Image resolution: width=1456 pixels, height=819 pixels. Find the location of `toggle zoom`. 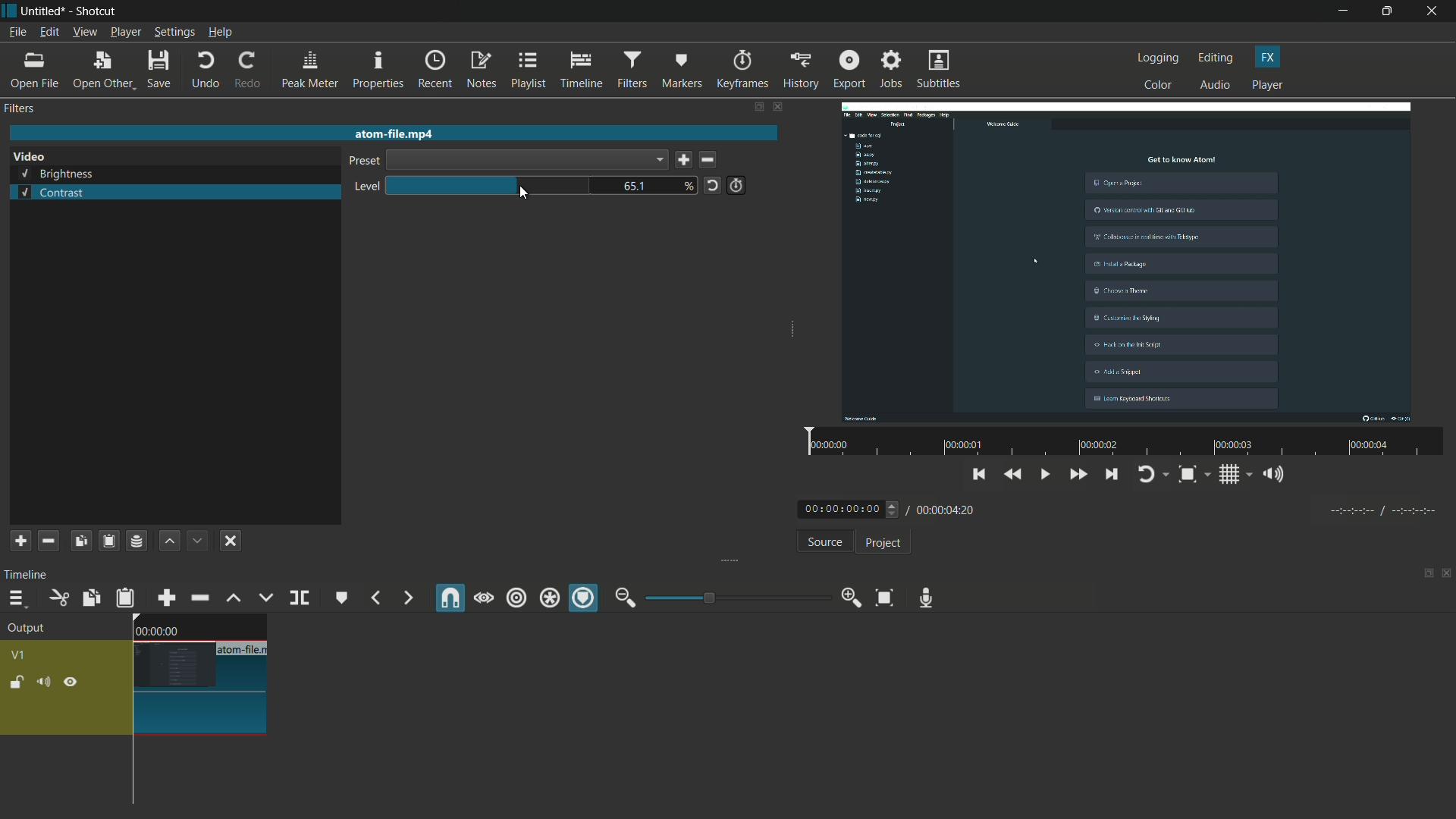

toggle zoom is located at coordinates (1193, 475).